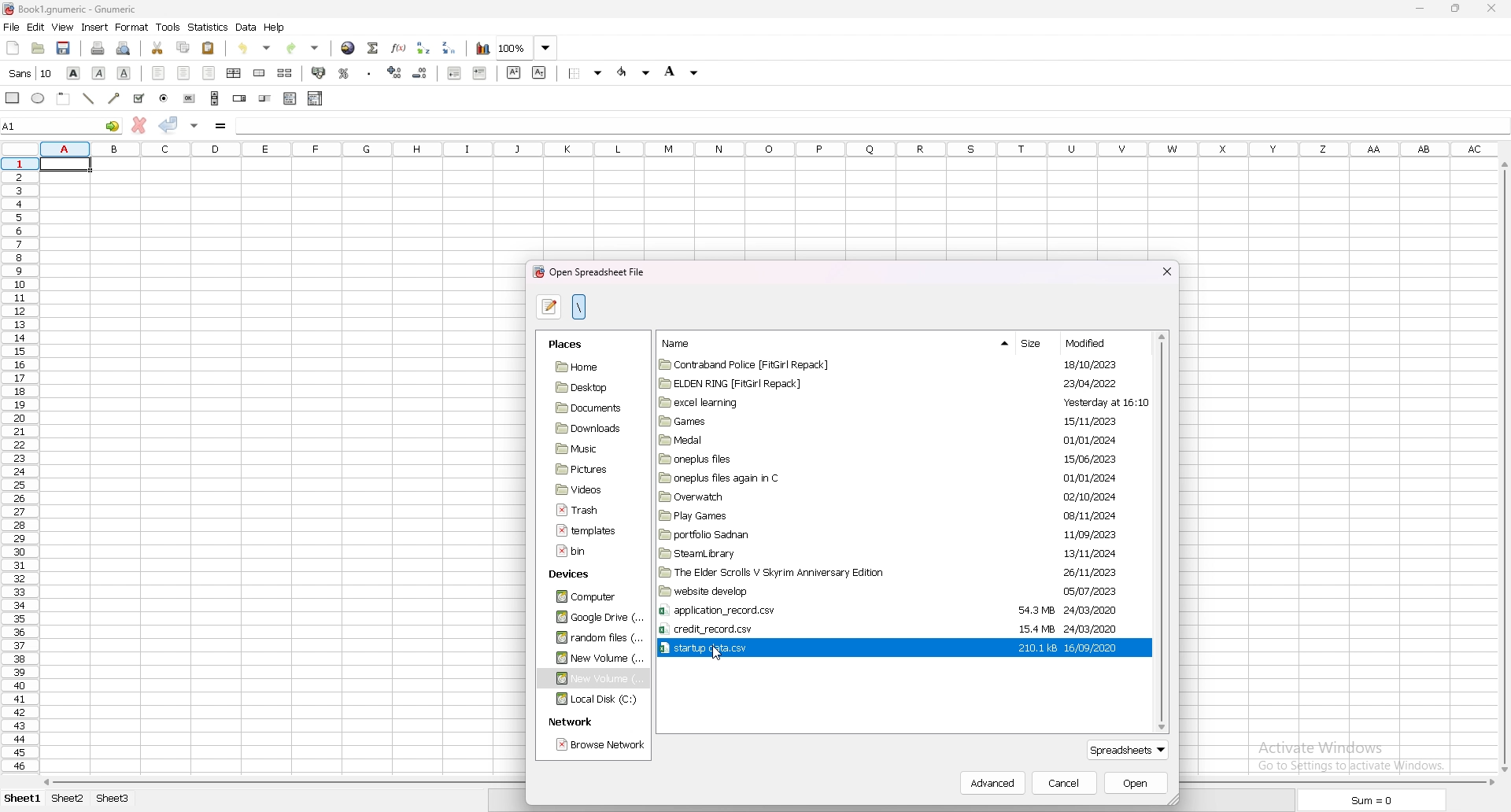 Image resolution: width=1511 pixels, height=812 pixels. Describe the element at coordinates (265, 98) in the screenshot. I see `slider` at that location.